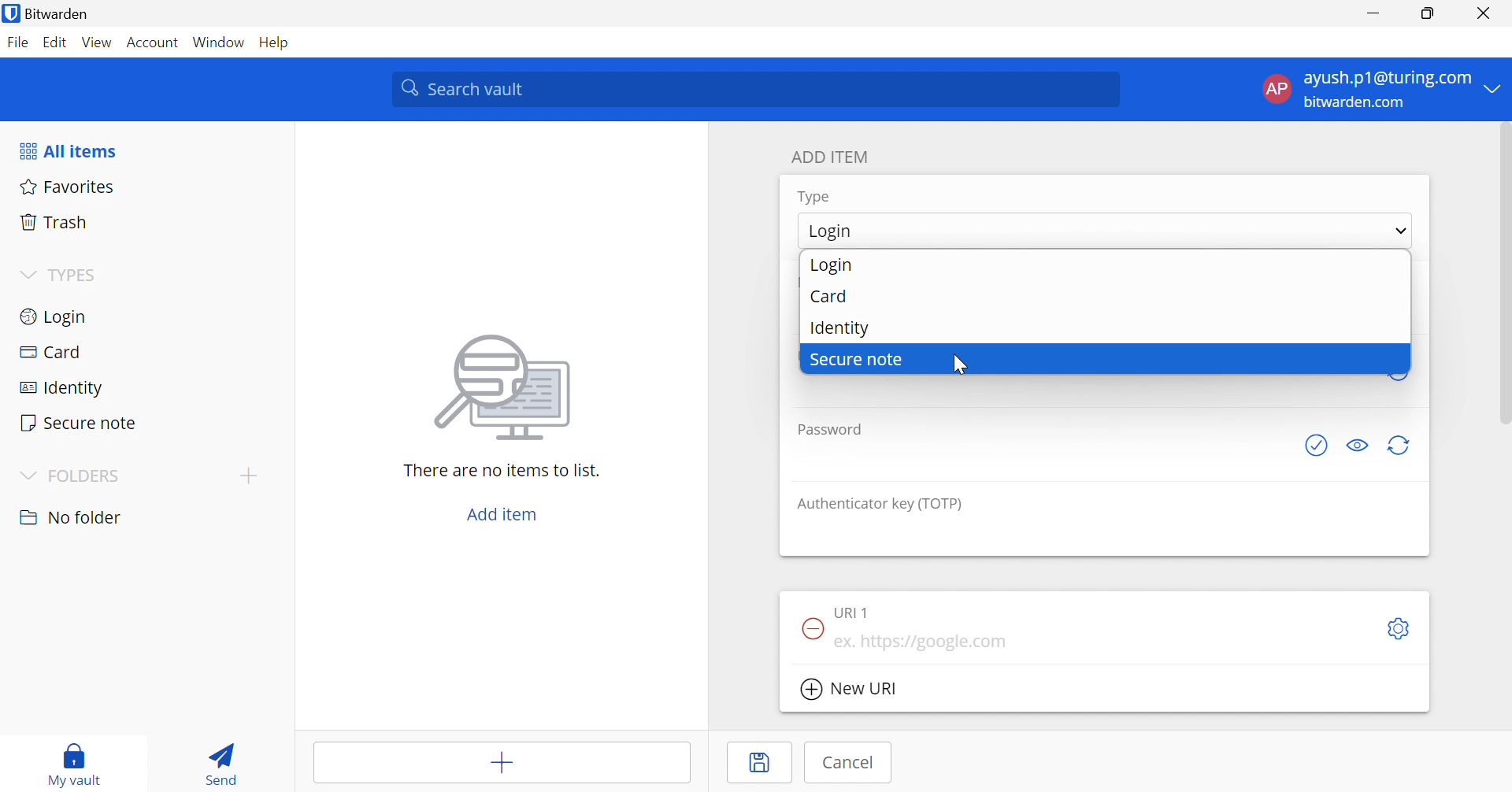 Image resolution: width=1512 pixels, height=792 pixels. Describe the element at coordinates (1429, 11) in the screenshot. I see `Restore Down` at that location.